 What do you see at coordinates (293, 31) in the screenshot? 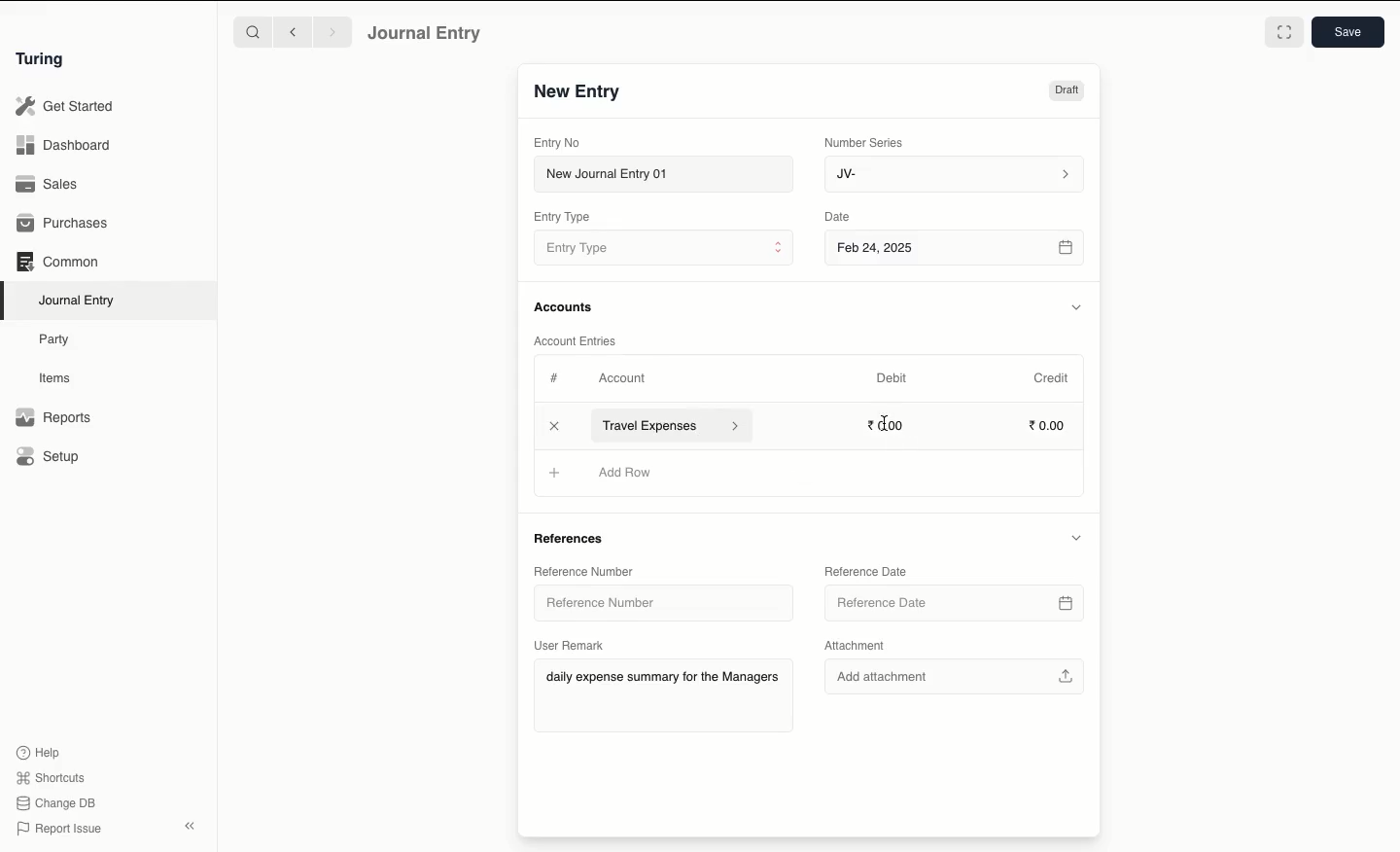
I see `Backward` at bounding box center [293, 31].